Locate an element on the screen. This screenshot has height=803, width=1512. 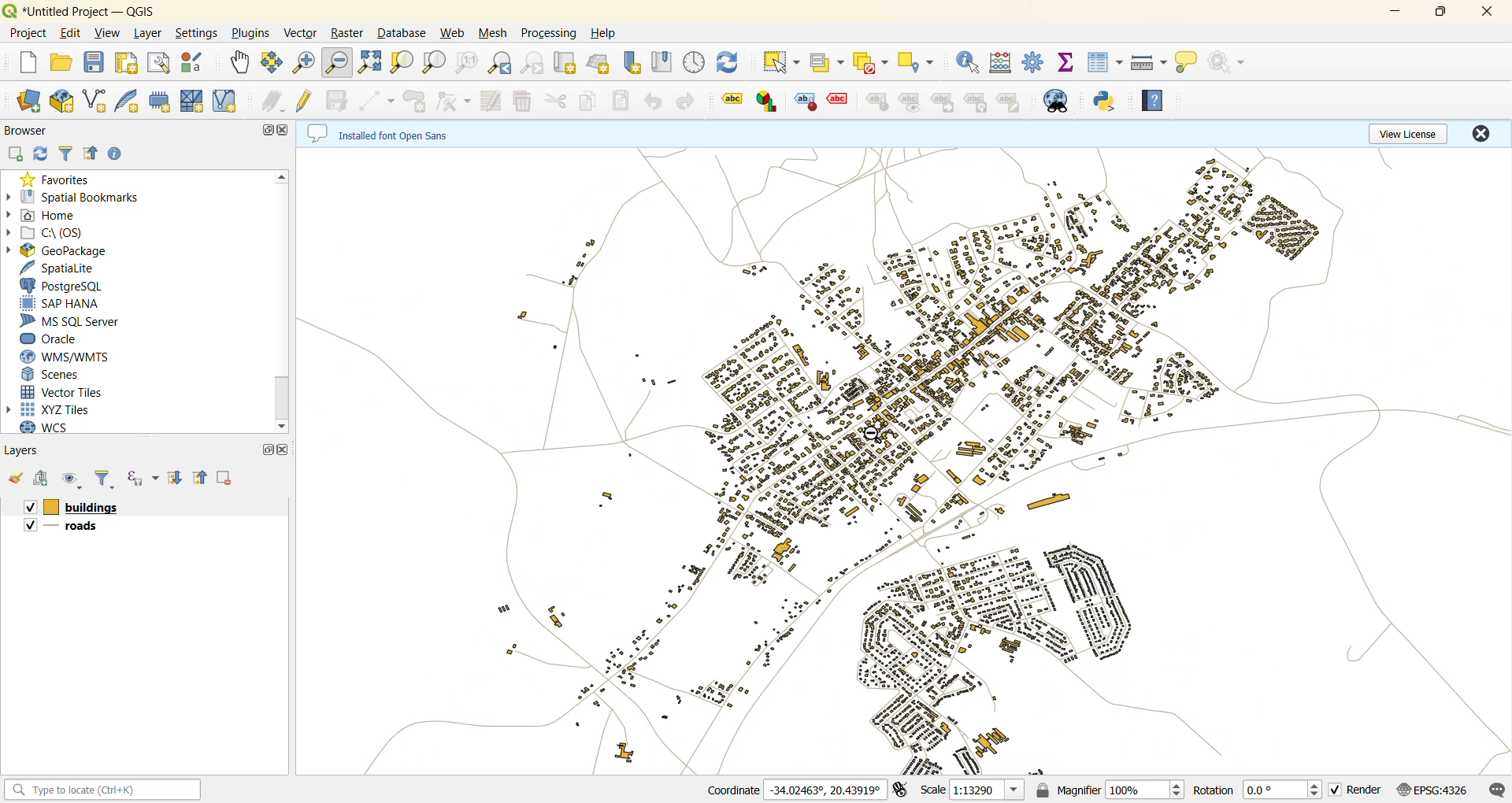
python is located at coordinates (1106, 102).